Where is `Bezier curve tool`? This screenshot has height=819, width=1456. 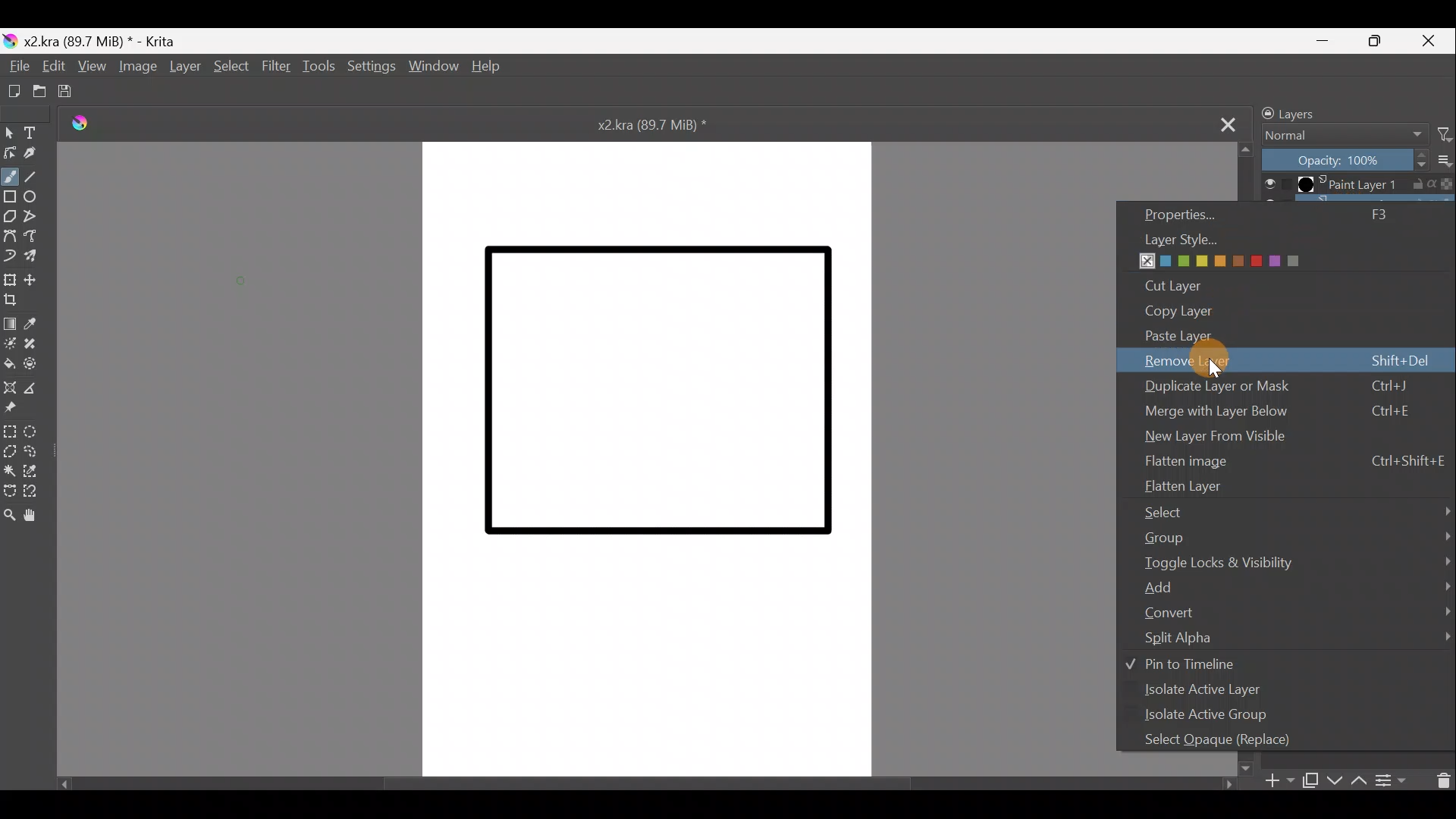 Bezier curve tool is located at coordinates (10, 237).